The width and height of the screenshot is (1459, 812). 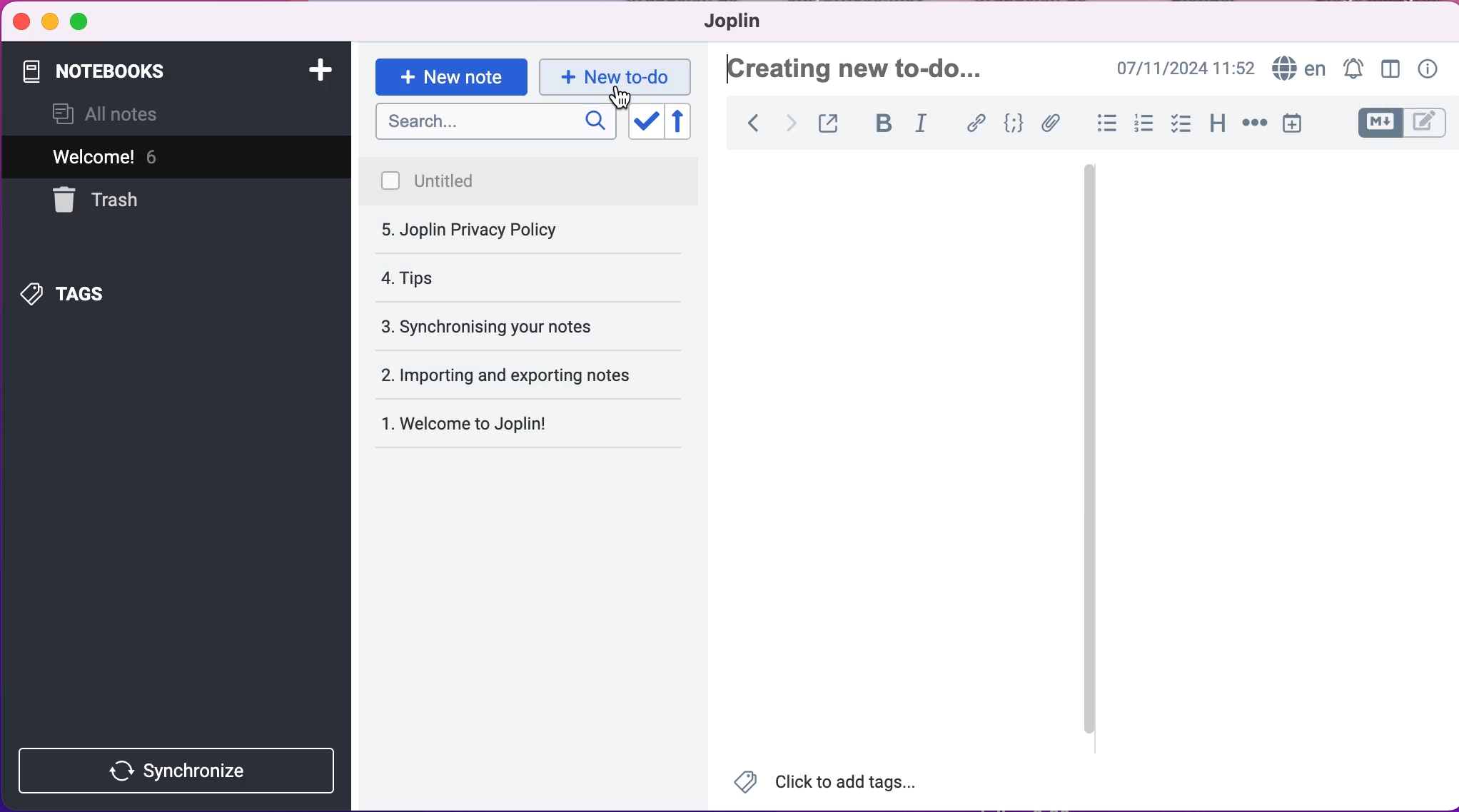 What do you see at coordinates (889, 460) in the screenshot?
I see `Empty canvas` at bounding box center [889, 460].